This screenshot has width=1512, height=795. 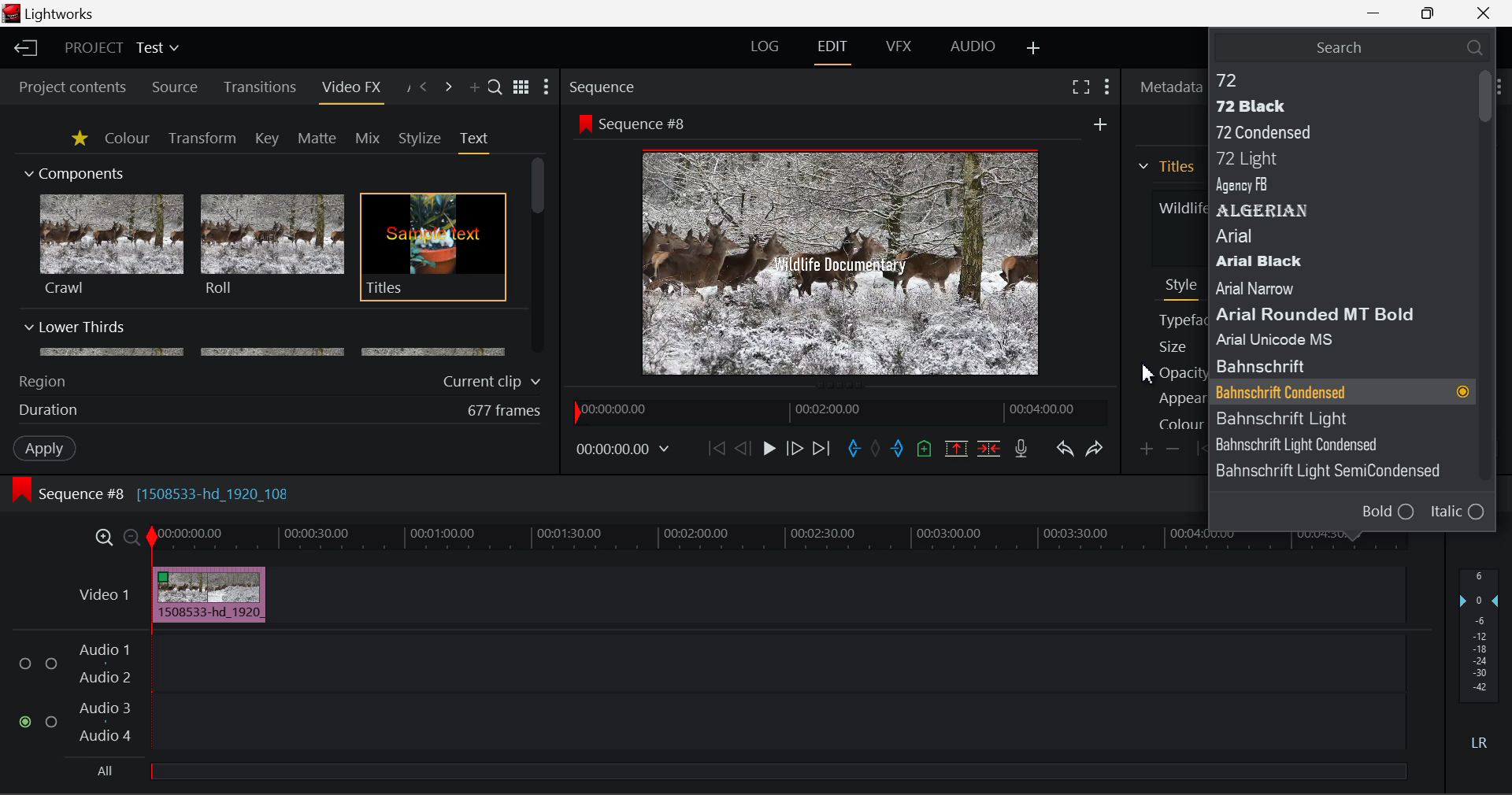 What do you see at coordinates (106, 771) in the screenshot?
I see `All` at bounding box center [106, 771].